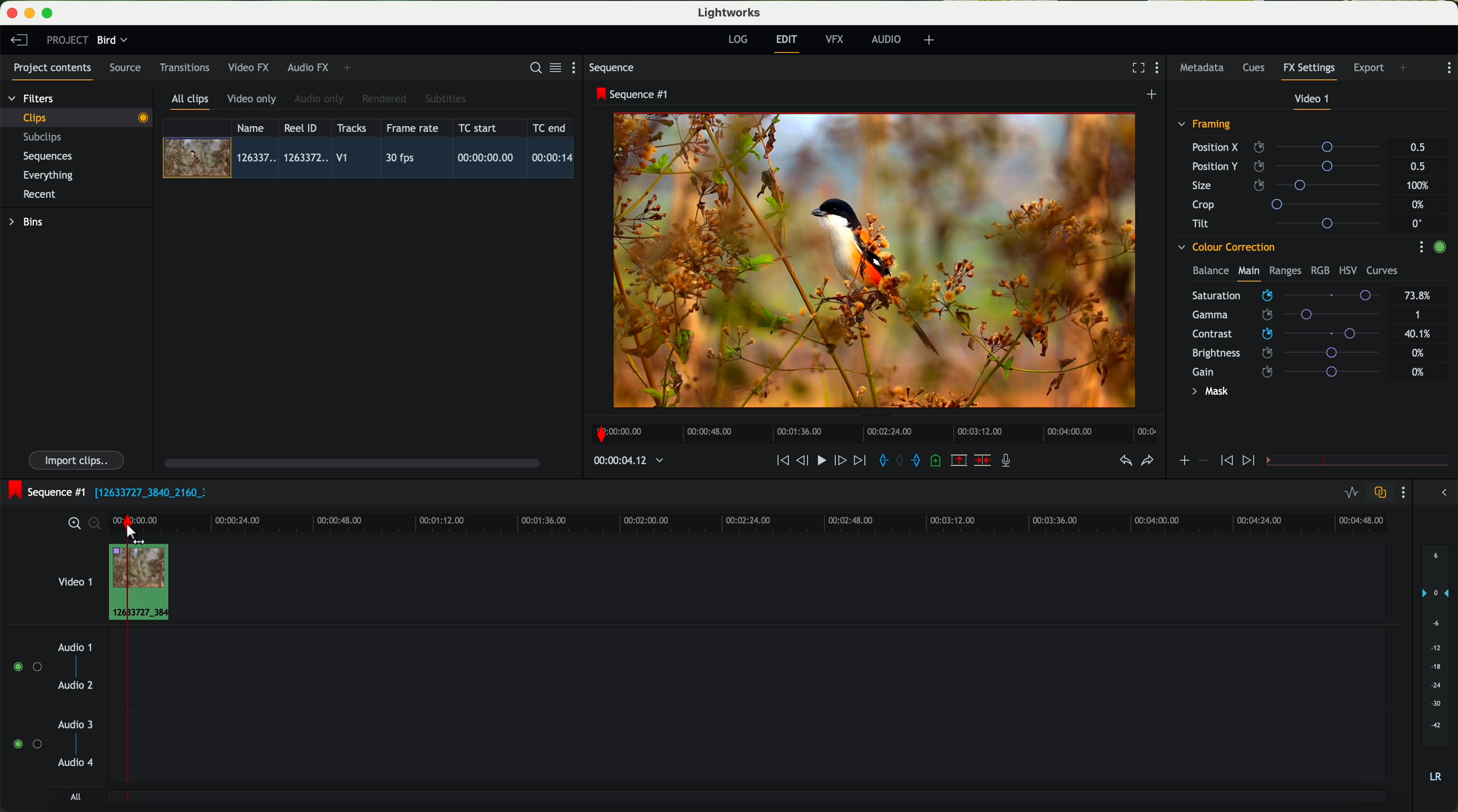 The image size is (1458, 812). What do you see at coordinates (1418, 223) in the screenshot?
I see `0°` at bounding box center [1418, 223].